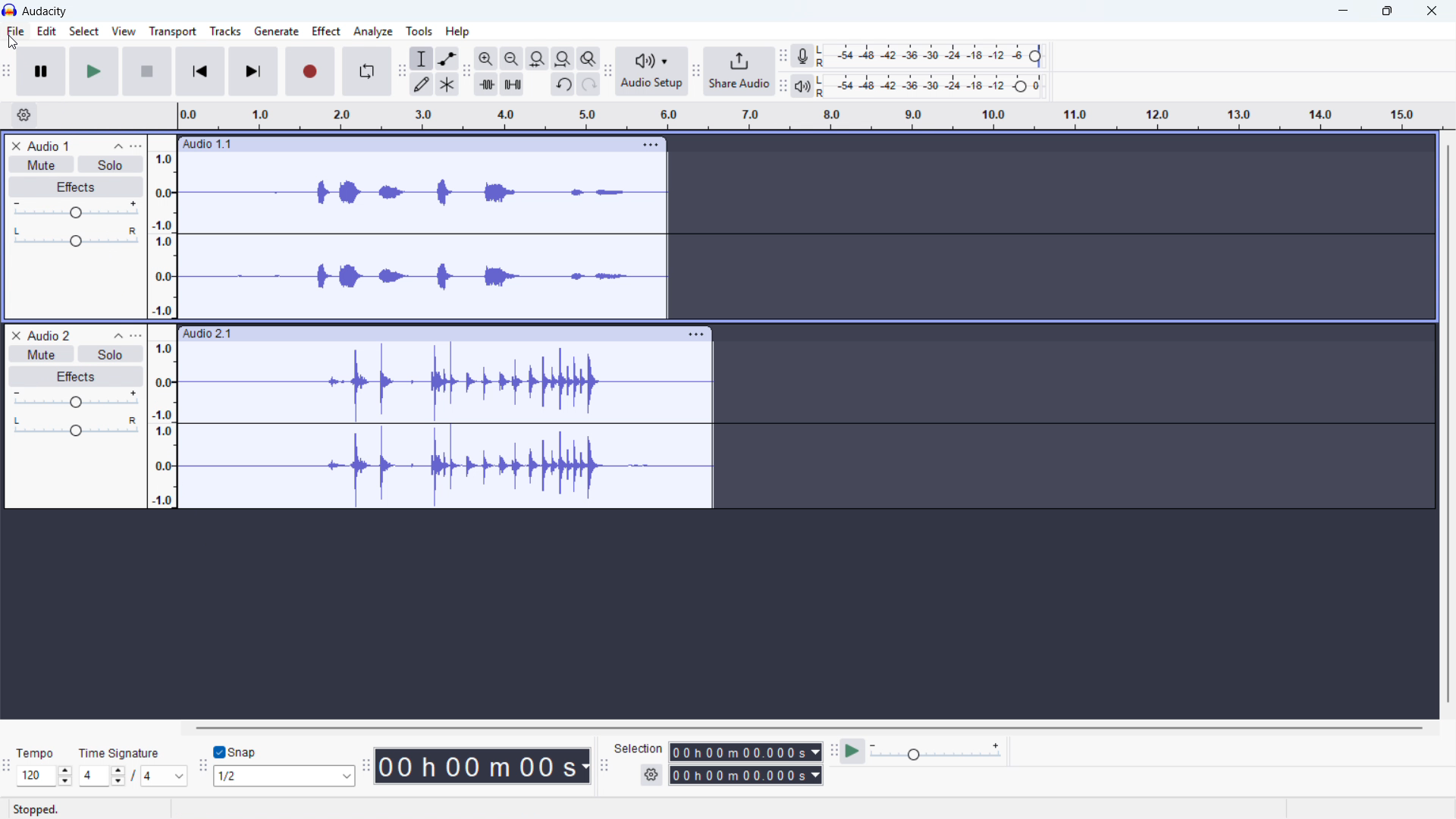  Describe the element at coordinates (1385, 11) in the screenshot. I see `Maximise ` at that location.